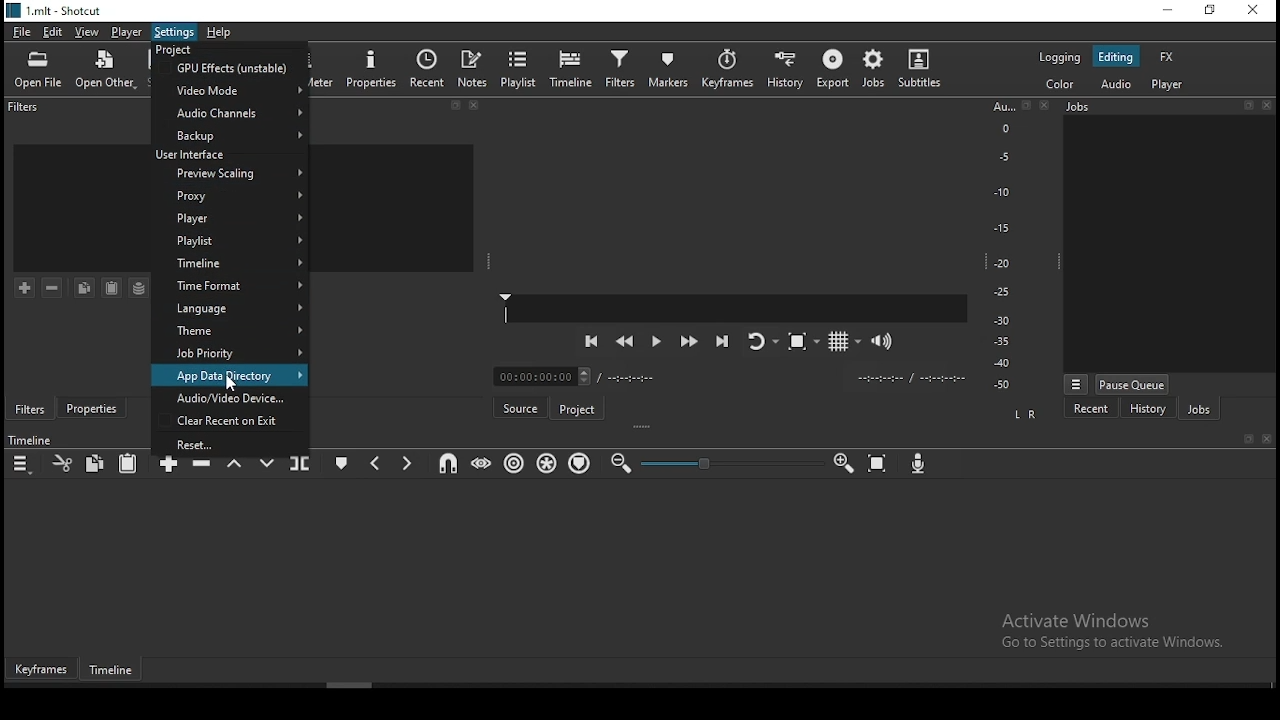 The width and height of the screenshot is (1280, 720). What do you see at coordinates (840, 340) in the screenshot?
I see `toggle grid display on the player` at bounding box center [840, 340].